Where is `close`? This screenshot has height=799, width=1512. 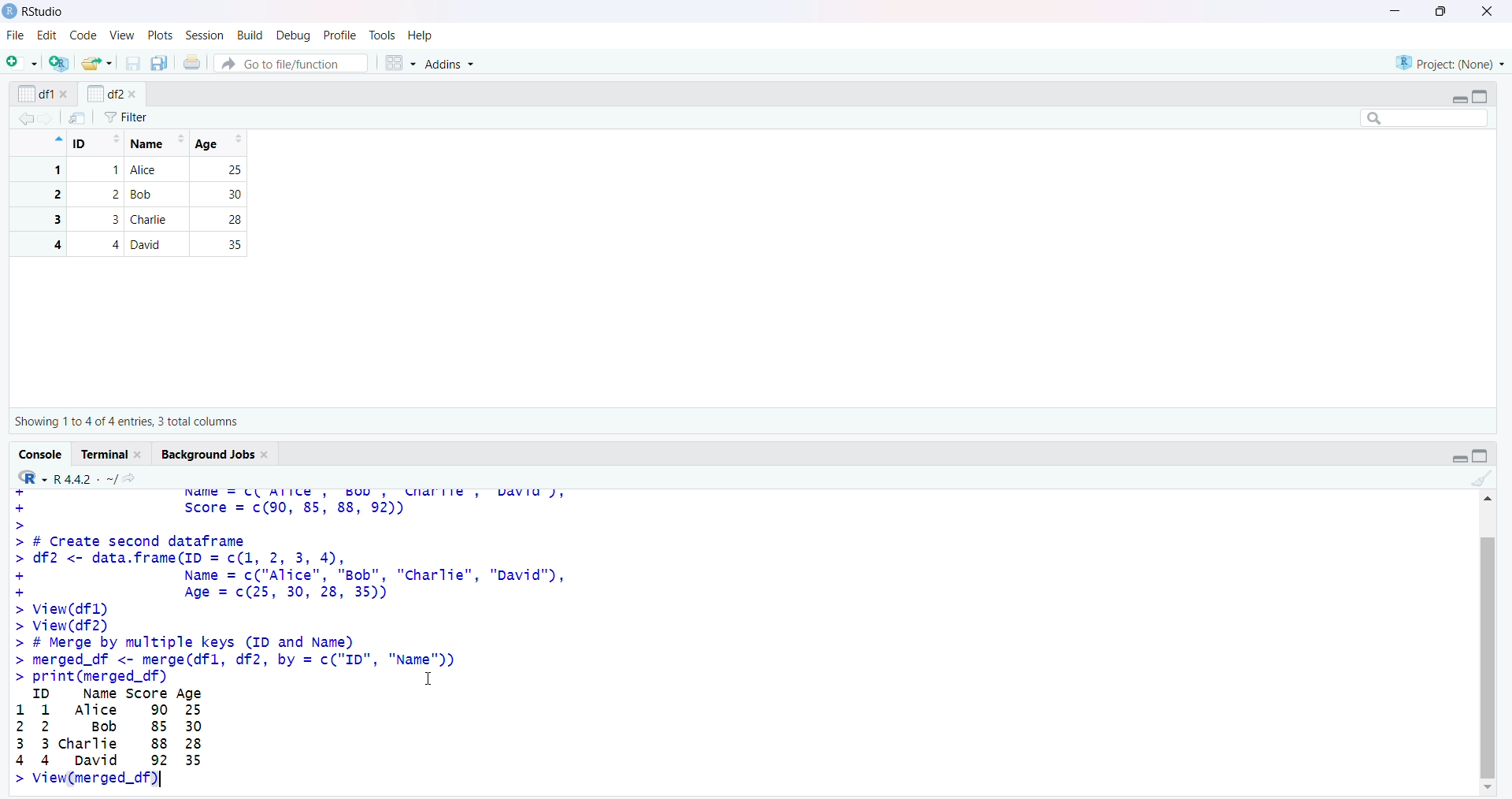 close is located at coordinates (1488, 11).